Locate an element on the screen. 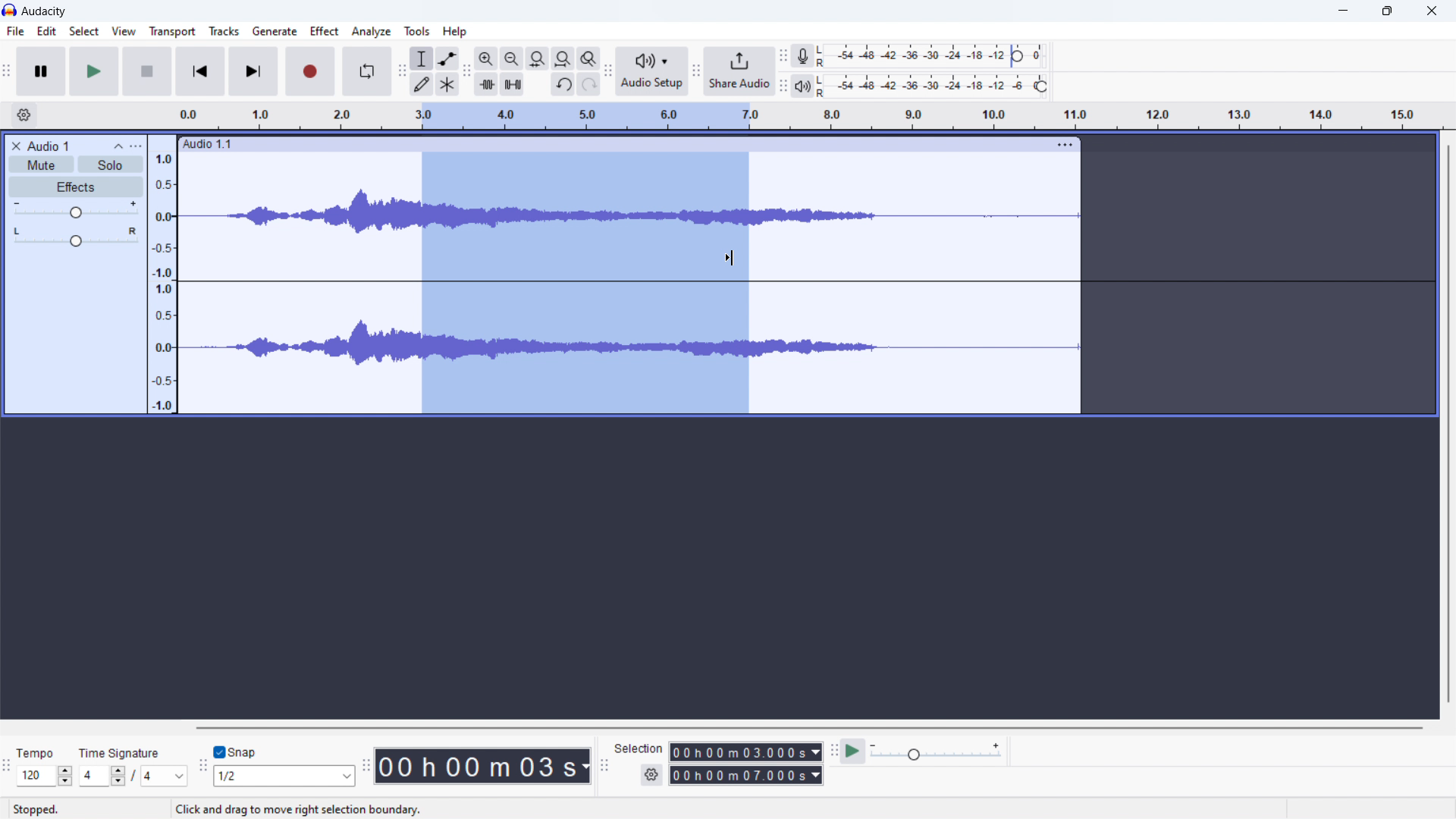 Image resolution: width=1456 pixels, height=819 pixels. edit is located at coordinates (47, 30).